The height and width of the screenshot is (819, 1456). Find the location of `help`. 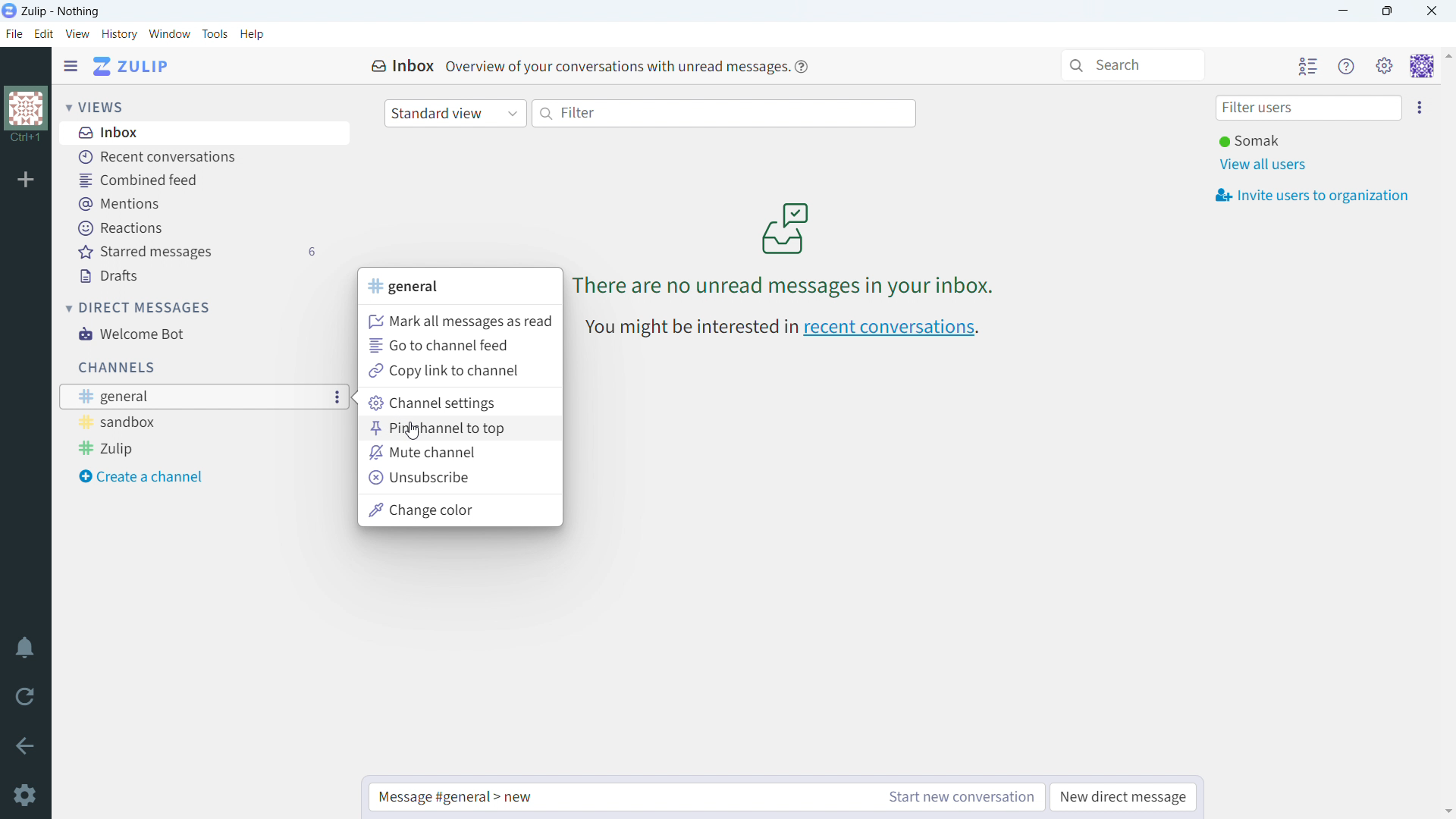

help is located at coordinates (252, 35).